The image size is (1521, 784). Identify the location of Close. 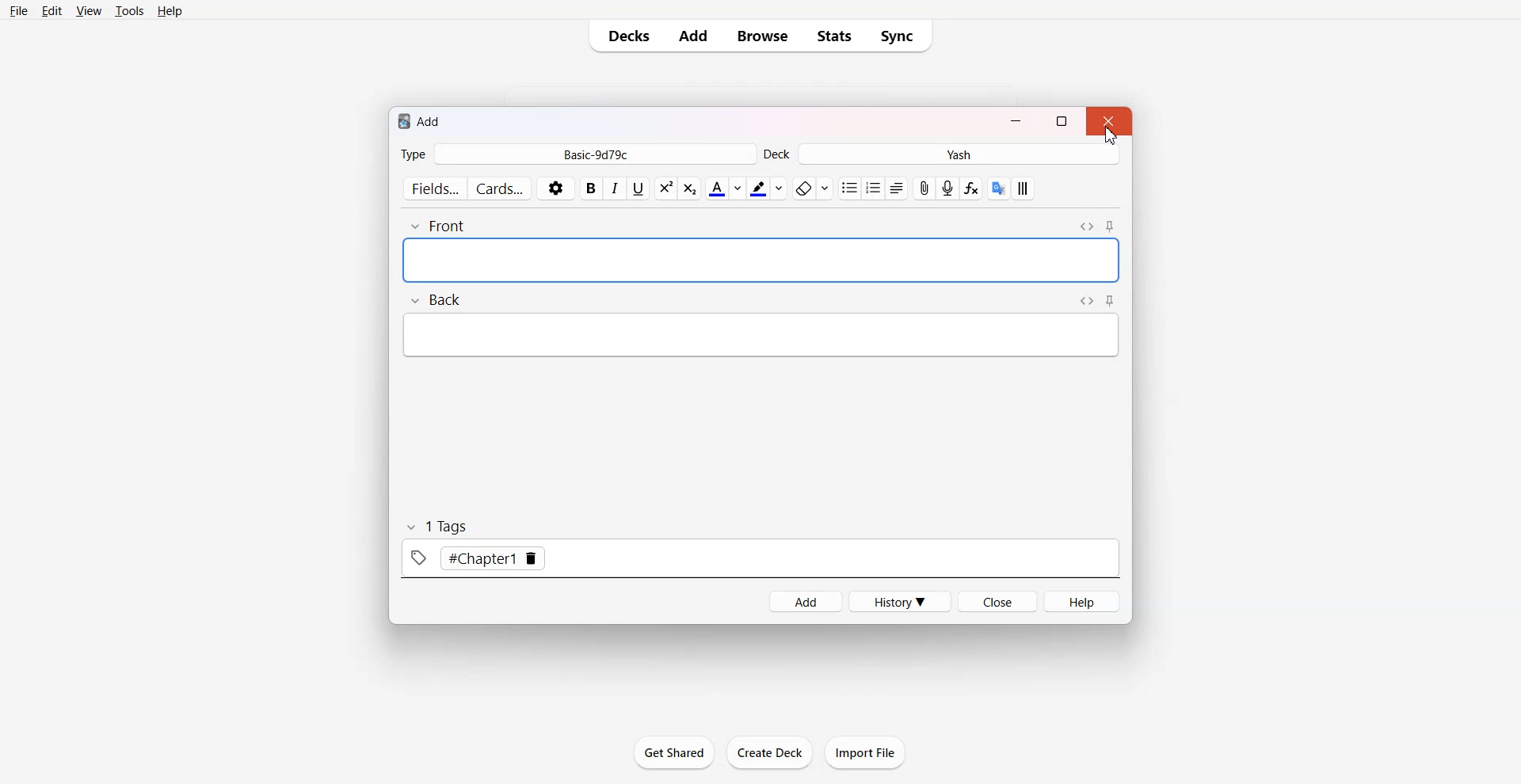
(1108, 120).